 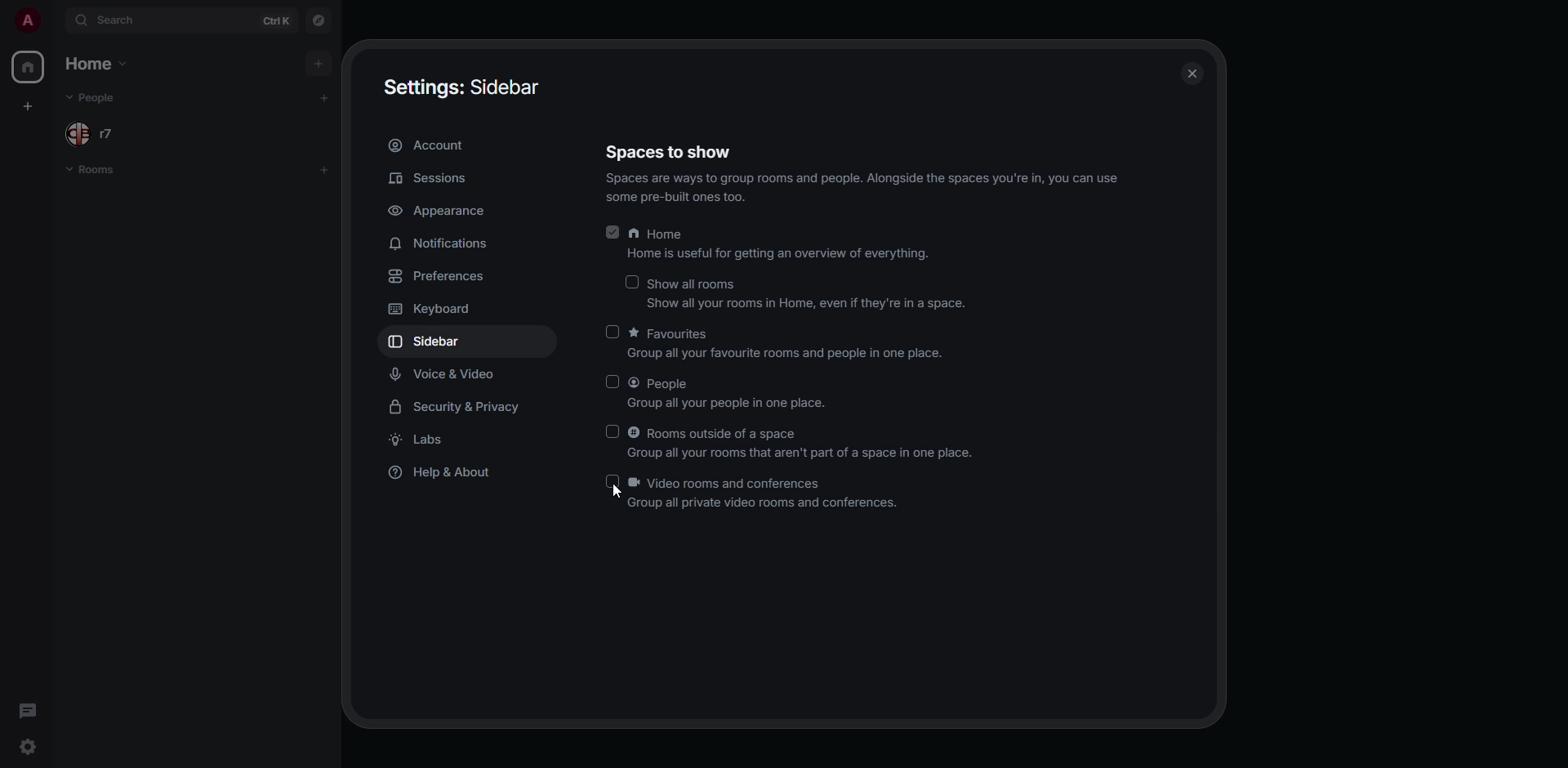 I want to click on enabled, so click(x=612, y=233).